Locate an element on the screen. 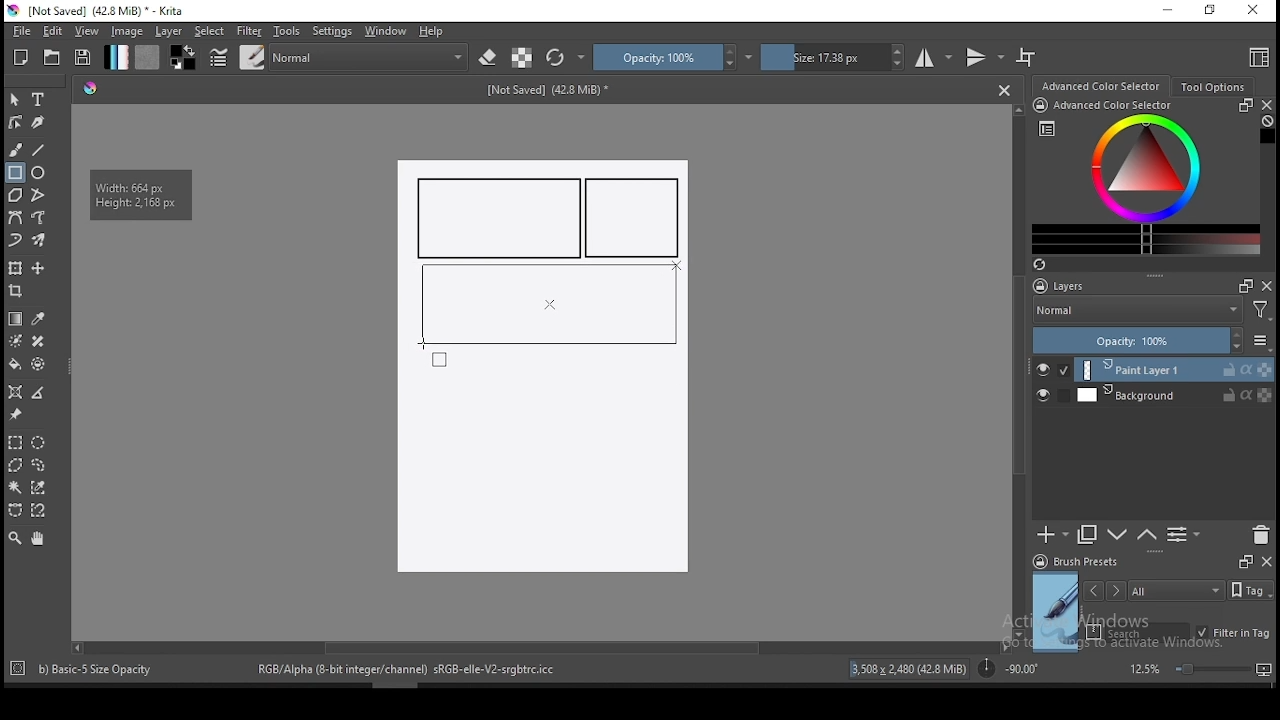   is located at coordinates (985, 55).